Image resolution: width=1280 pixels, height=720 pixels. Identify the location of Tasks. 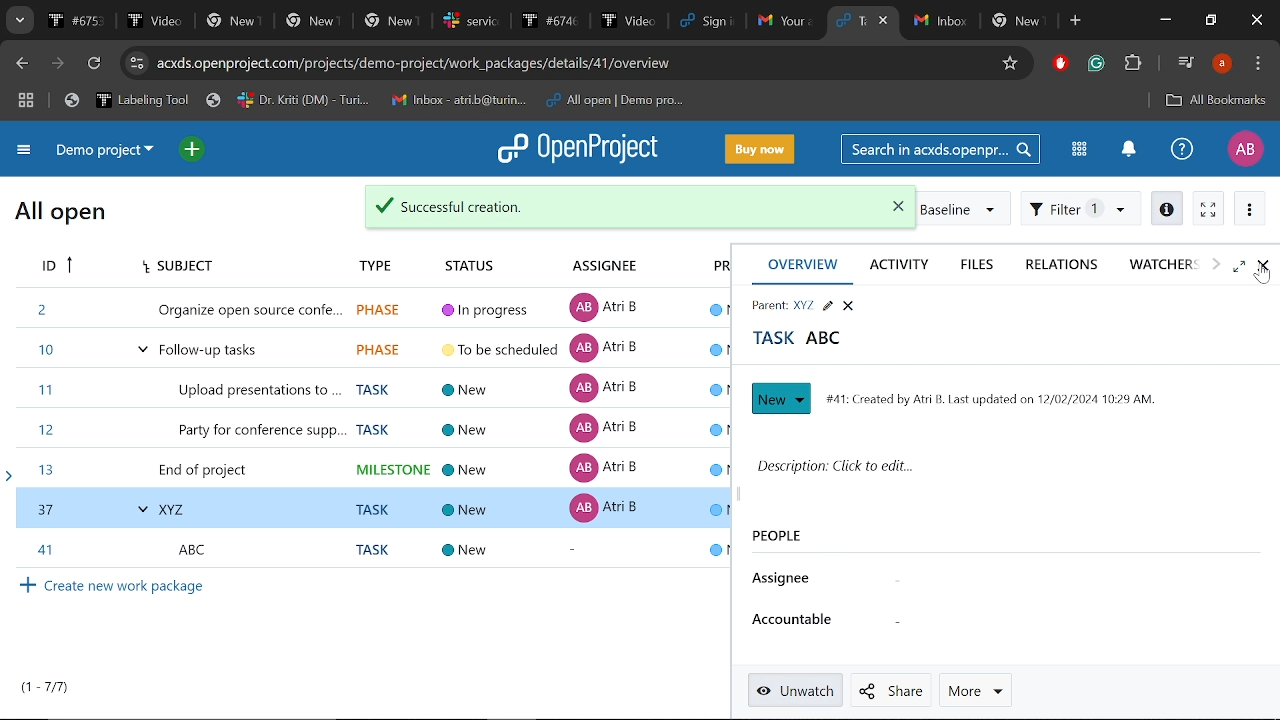
(46, 687).